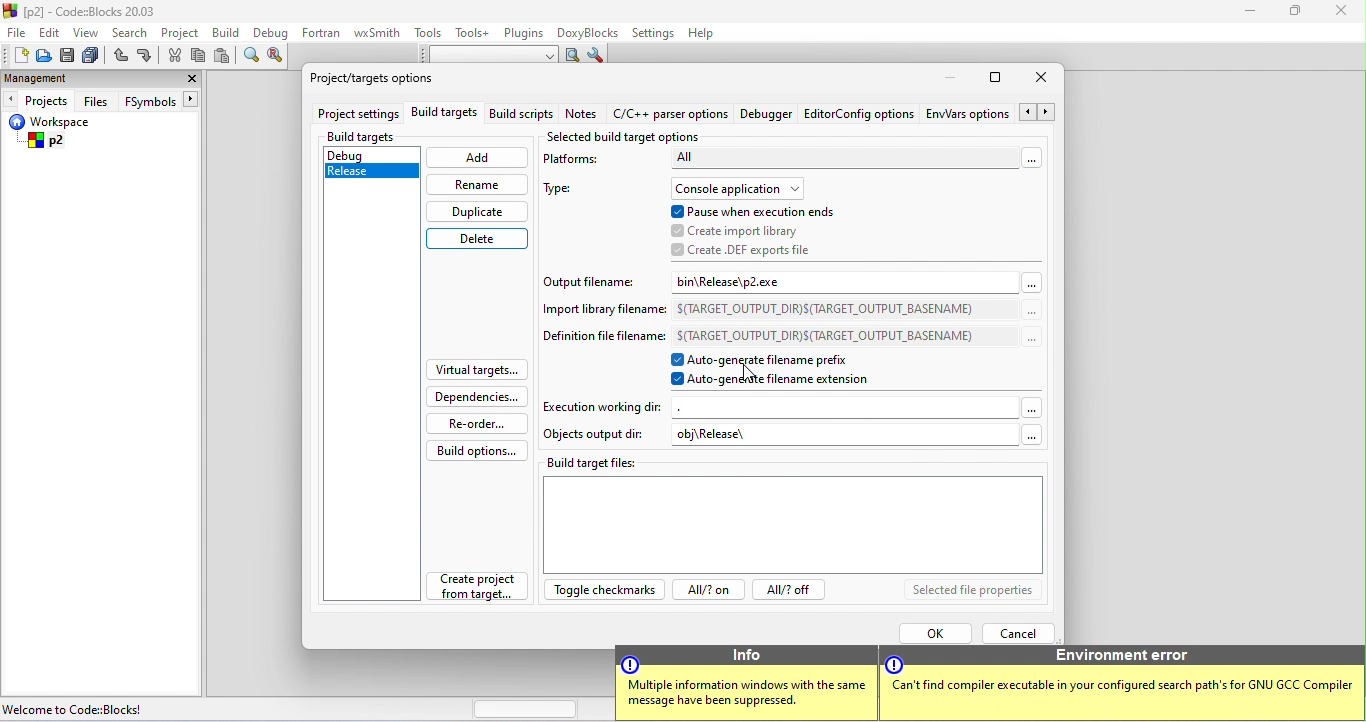 The image size is (1366, 722). What do you see at coordinates (520, 116) in the screenshot?
I see `build scripts` at bounding box center [520, 116].